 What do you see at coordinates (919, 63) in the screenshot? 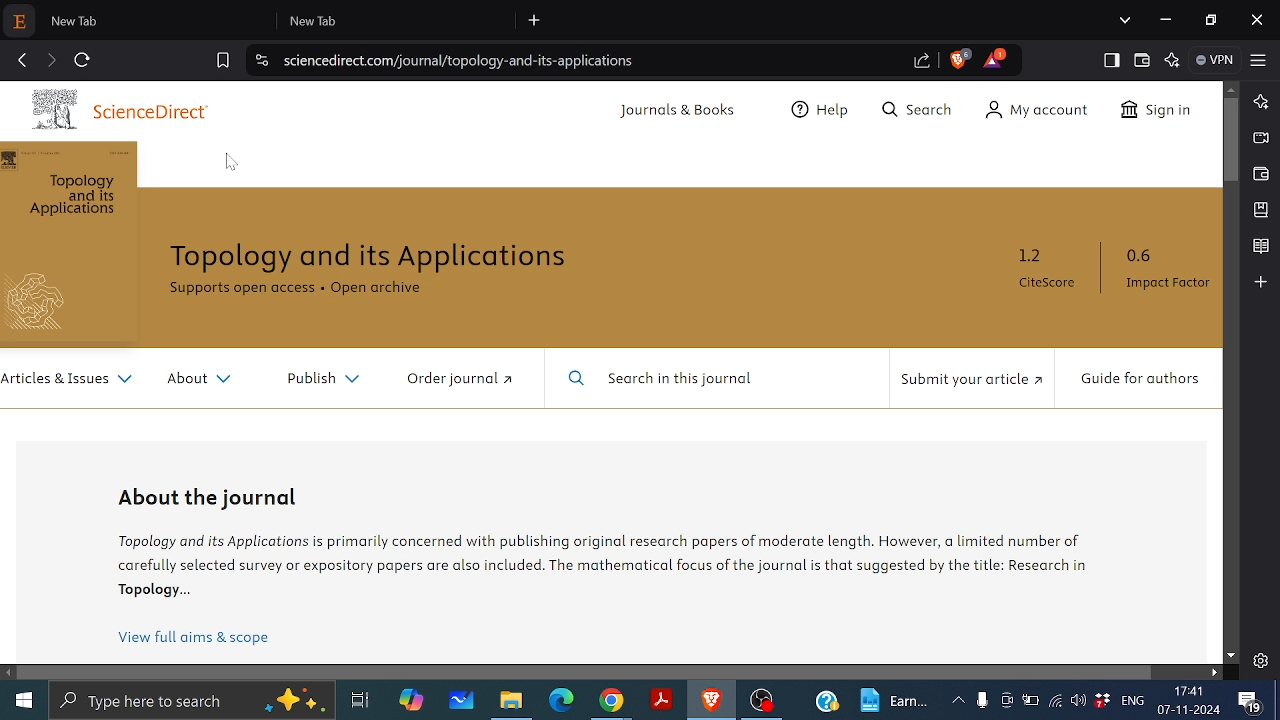
I see `Share this page` at bounding box center [919, 63].